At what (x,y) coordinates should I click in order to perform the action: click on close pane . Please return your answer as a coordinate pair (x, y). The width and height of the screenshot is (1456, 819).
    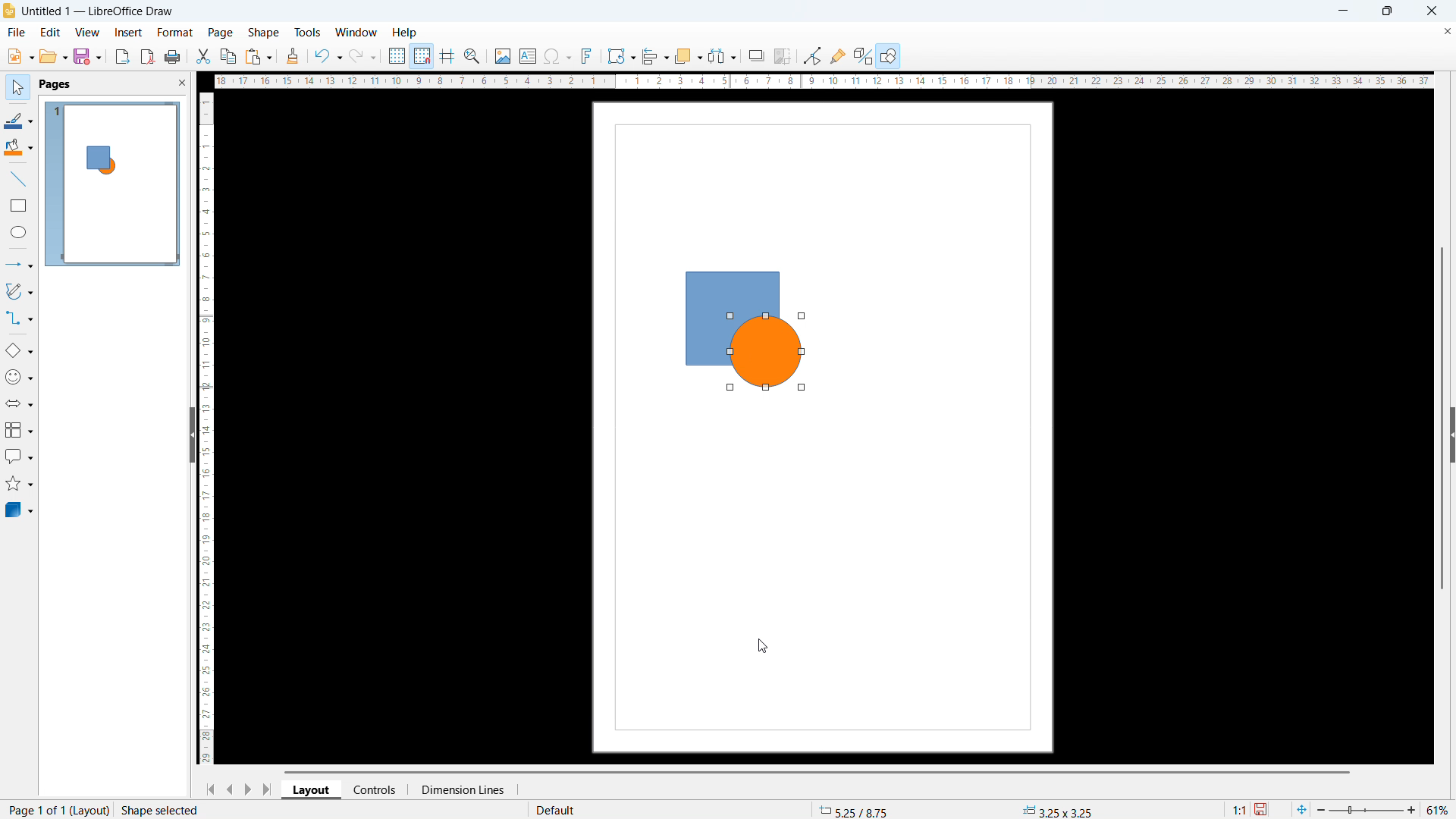
    Looking at the image, I should click on (181, 82).